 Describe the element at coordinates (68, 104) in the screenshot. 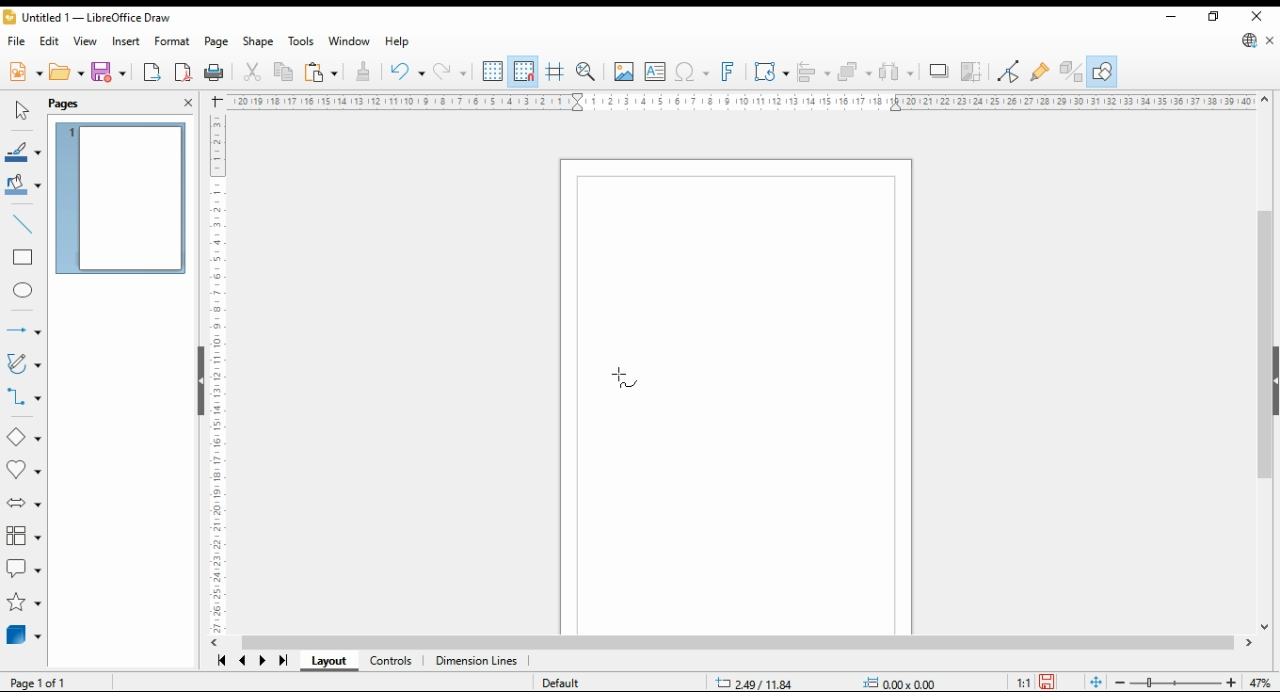

I see `pages` at that location.